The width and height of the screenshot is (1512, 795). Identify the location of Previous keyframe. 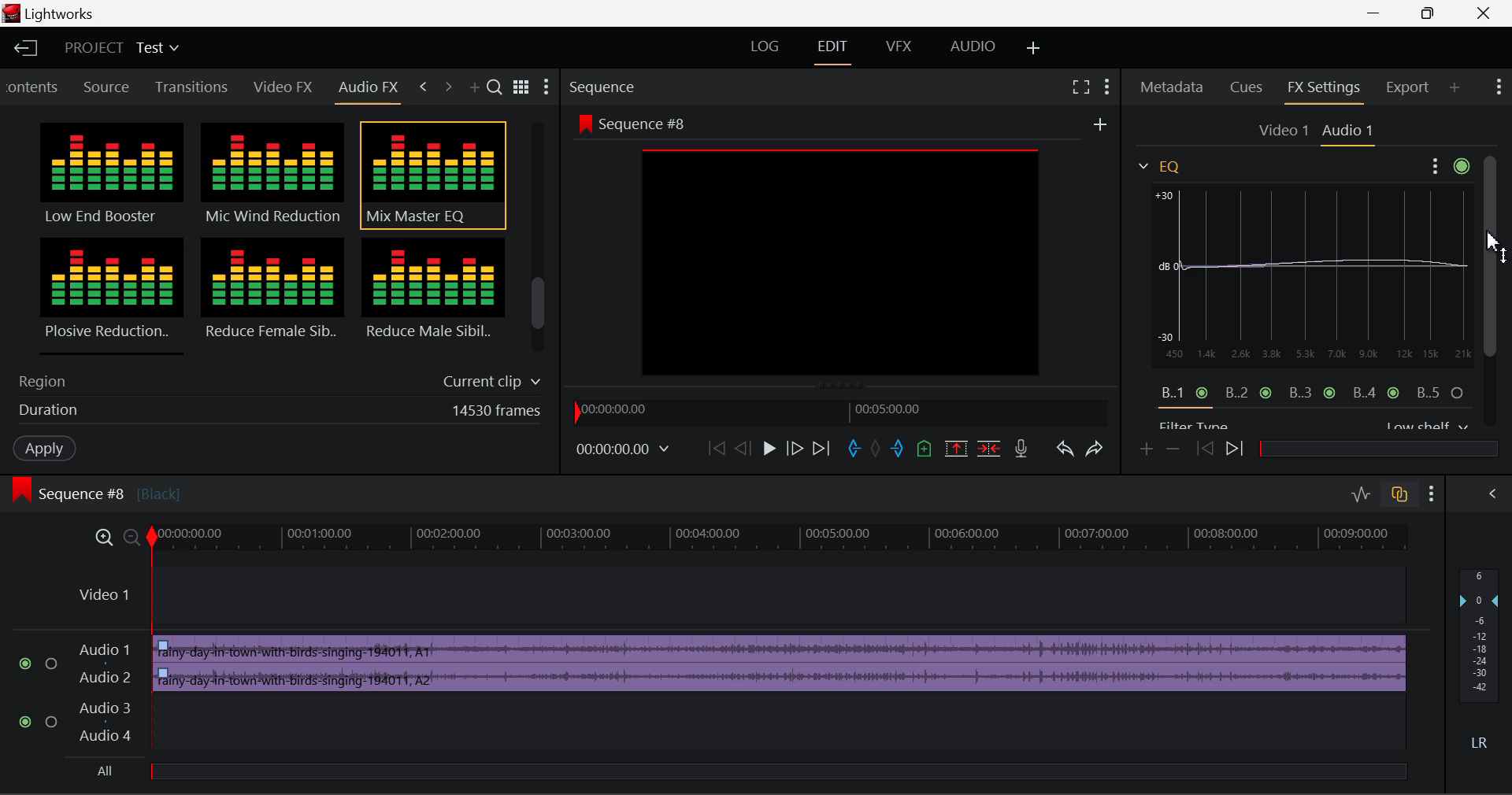
(1208, 449).